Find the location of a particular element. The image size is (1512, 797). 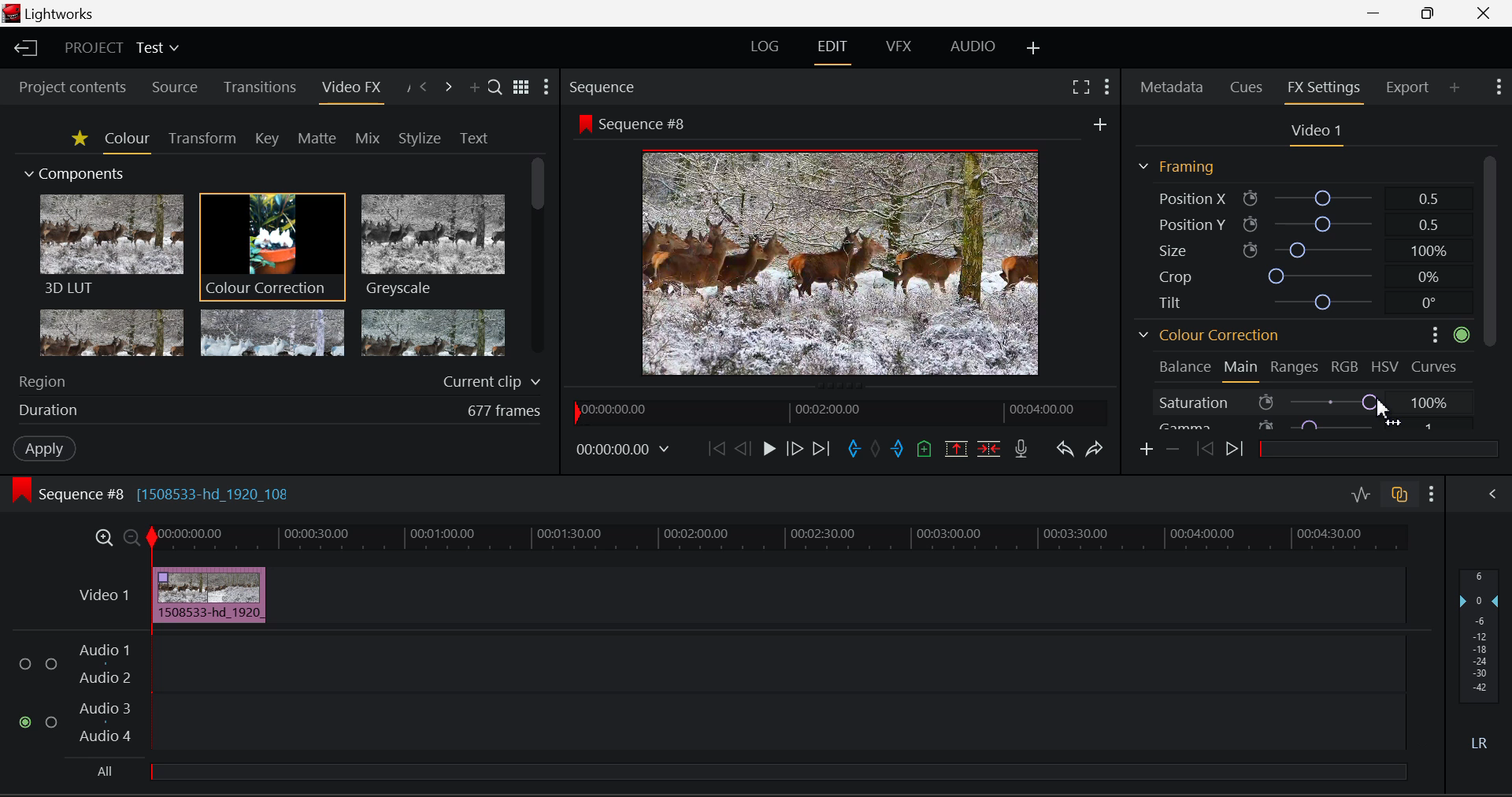

more options is located at coordinates (1429, 334).